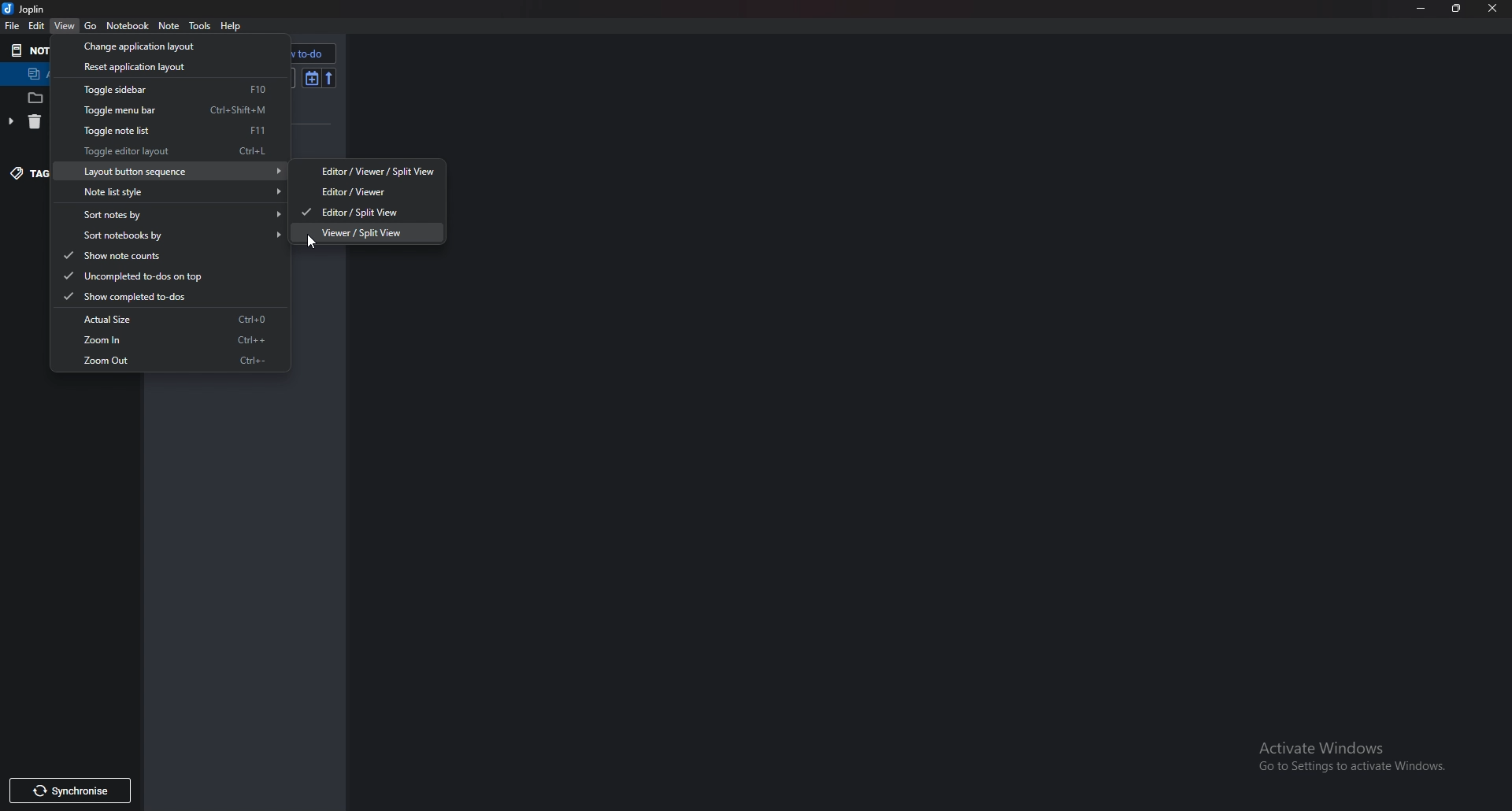  I want to click on Toggle sort order, so click(310, 78).